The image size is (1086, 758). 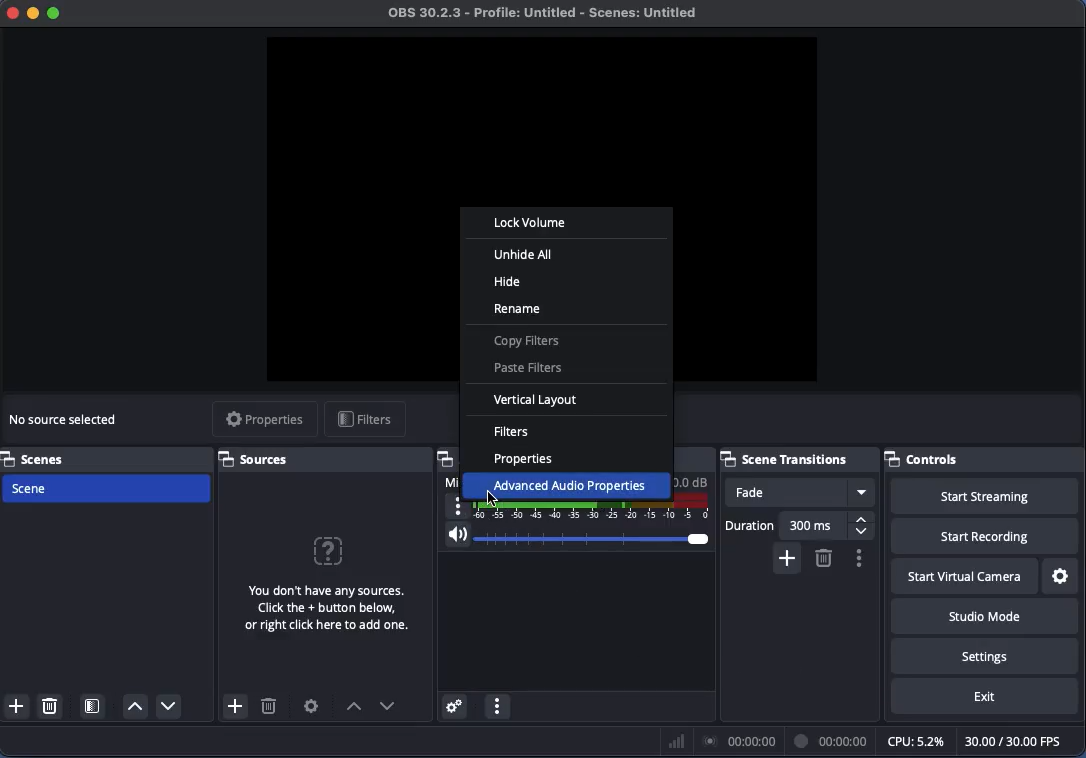 I want to click on Braodcast, so click(x=740, y=742).